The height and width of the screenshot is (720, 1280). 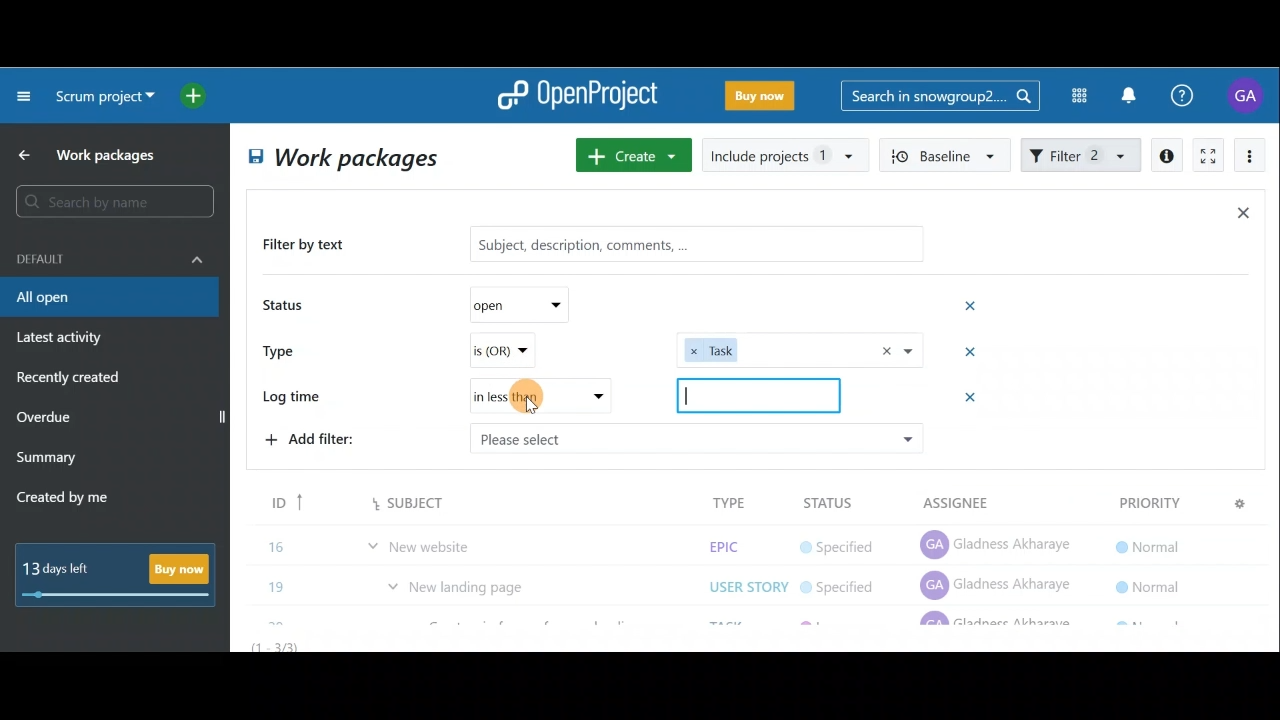 What do you see at coordinates (108, 298) in the screenshot?
I see `All open` at bounding box center [108, 298].